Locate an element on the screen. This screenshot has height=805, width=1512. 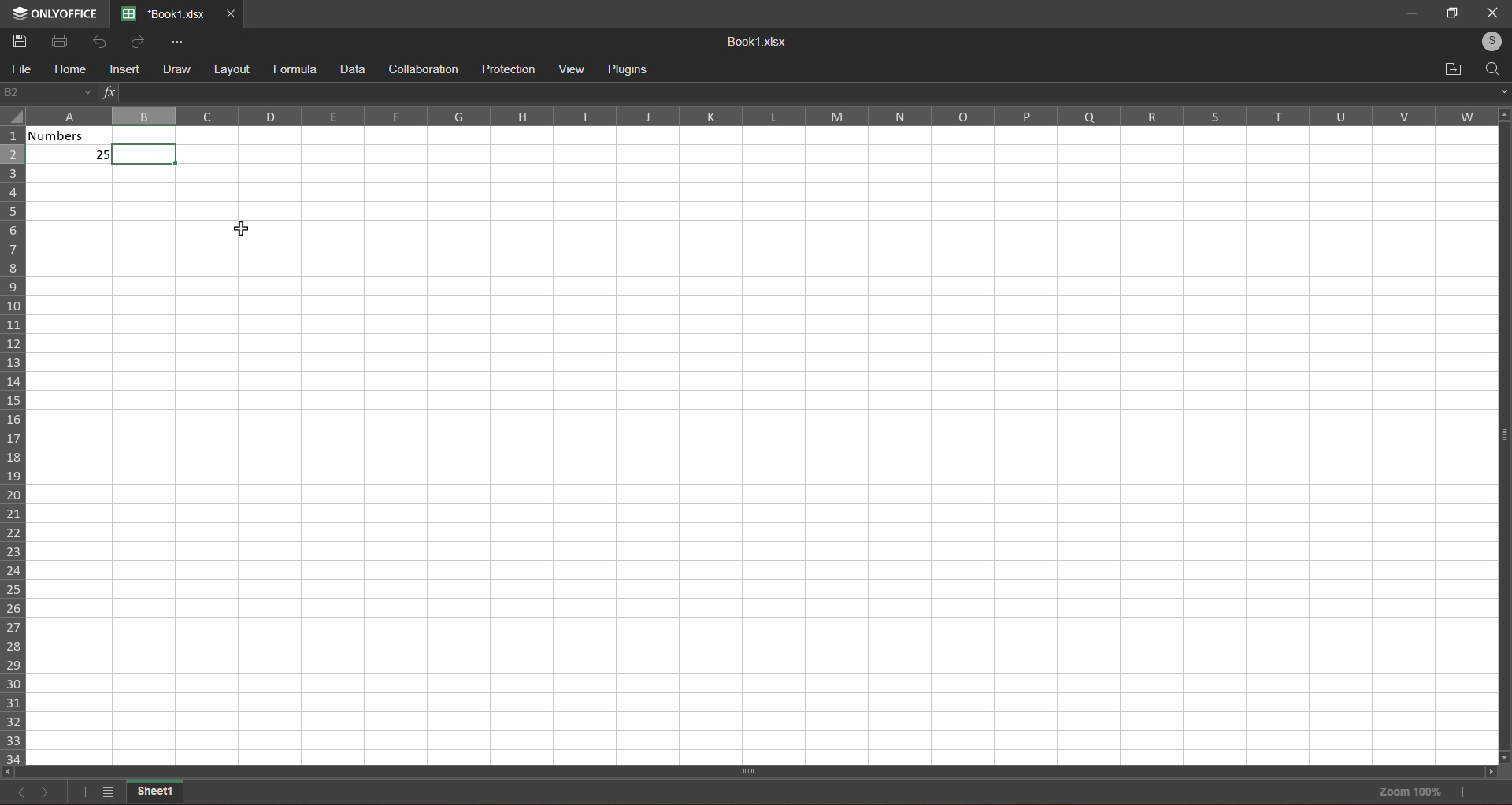
print is located at coordinates (58, 40).